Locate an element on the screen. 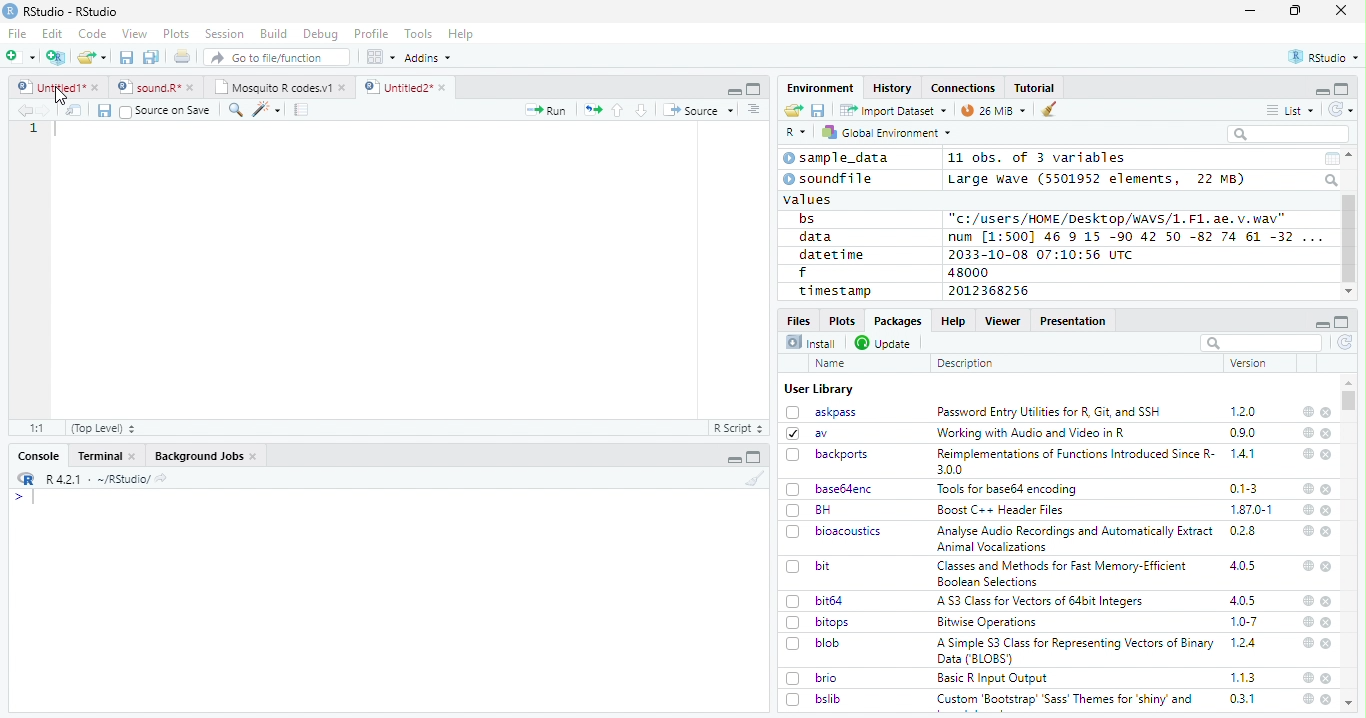 The width and height of the screenshot is (1366, 718). help is located at coordinates (1306, 530).